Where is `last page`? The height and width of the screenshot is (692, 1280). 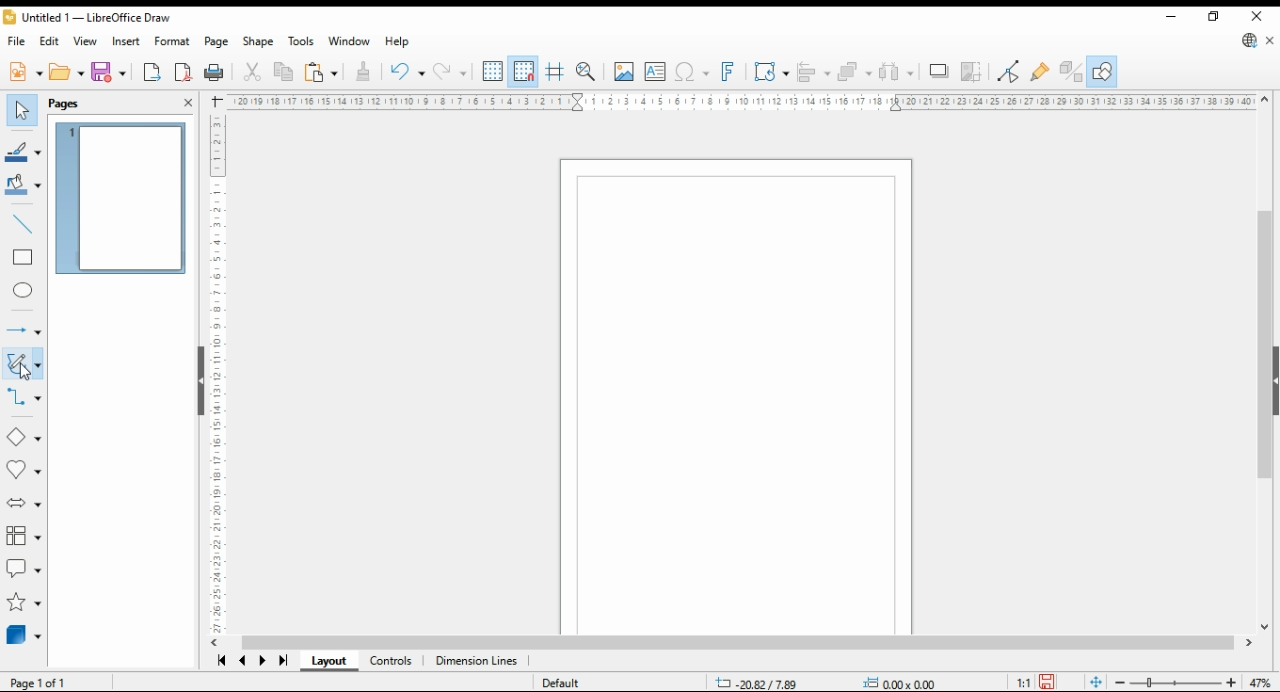 last page is located at coordinates (284, 661).